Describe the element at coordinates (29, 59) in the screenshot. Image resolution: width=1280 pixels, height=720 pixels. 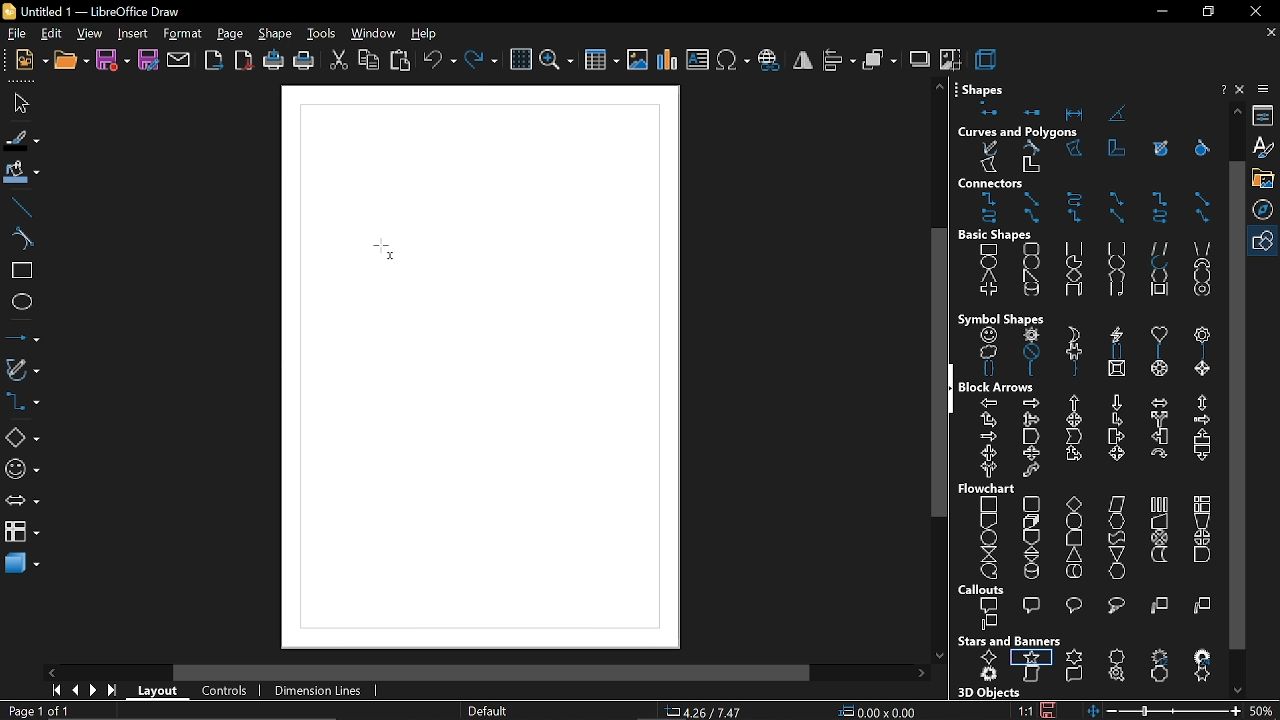
I see `new` at that location.